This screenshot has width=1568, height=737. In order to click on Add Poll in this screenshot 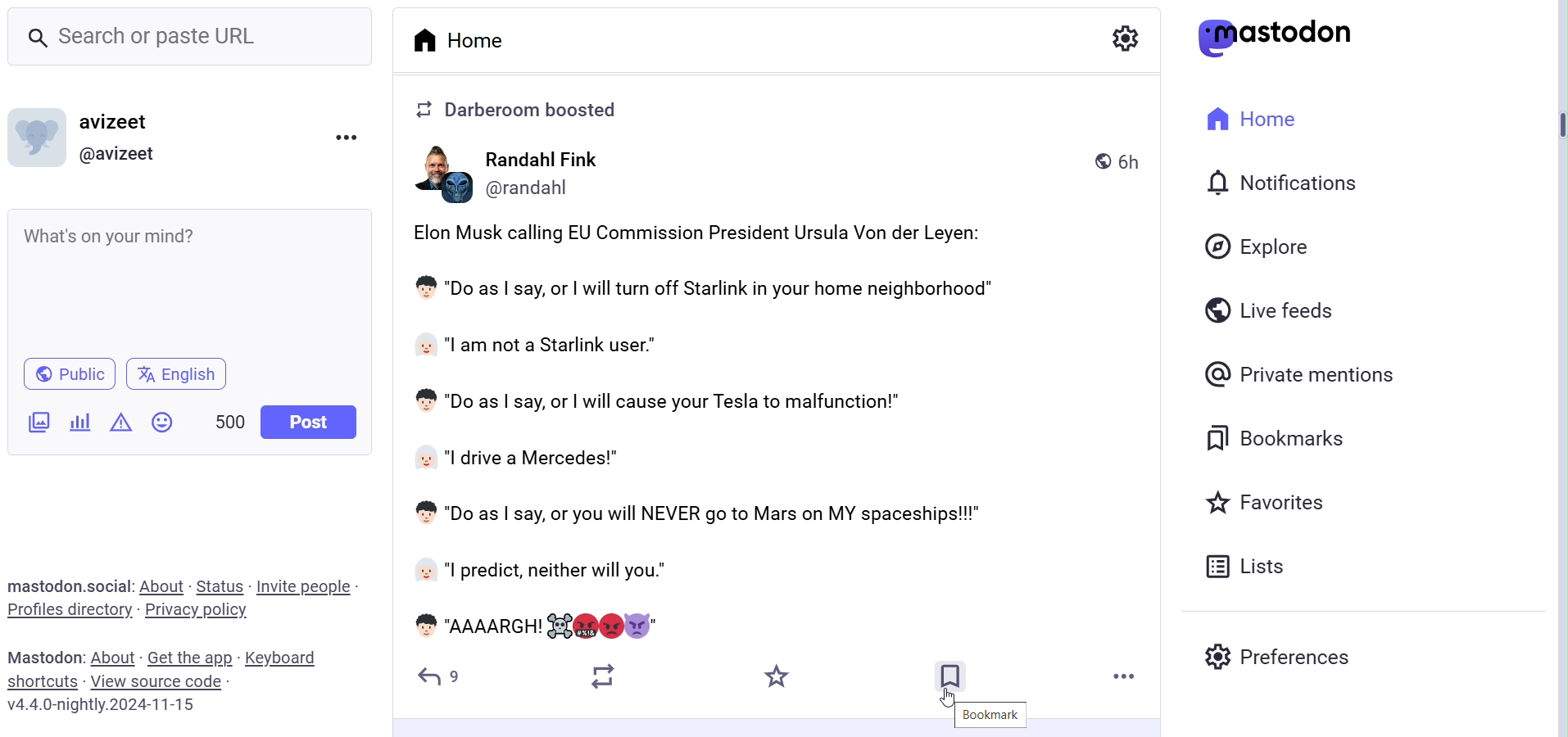, I will do `click(80, 422)`.